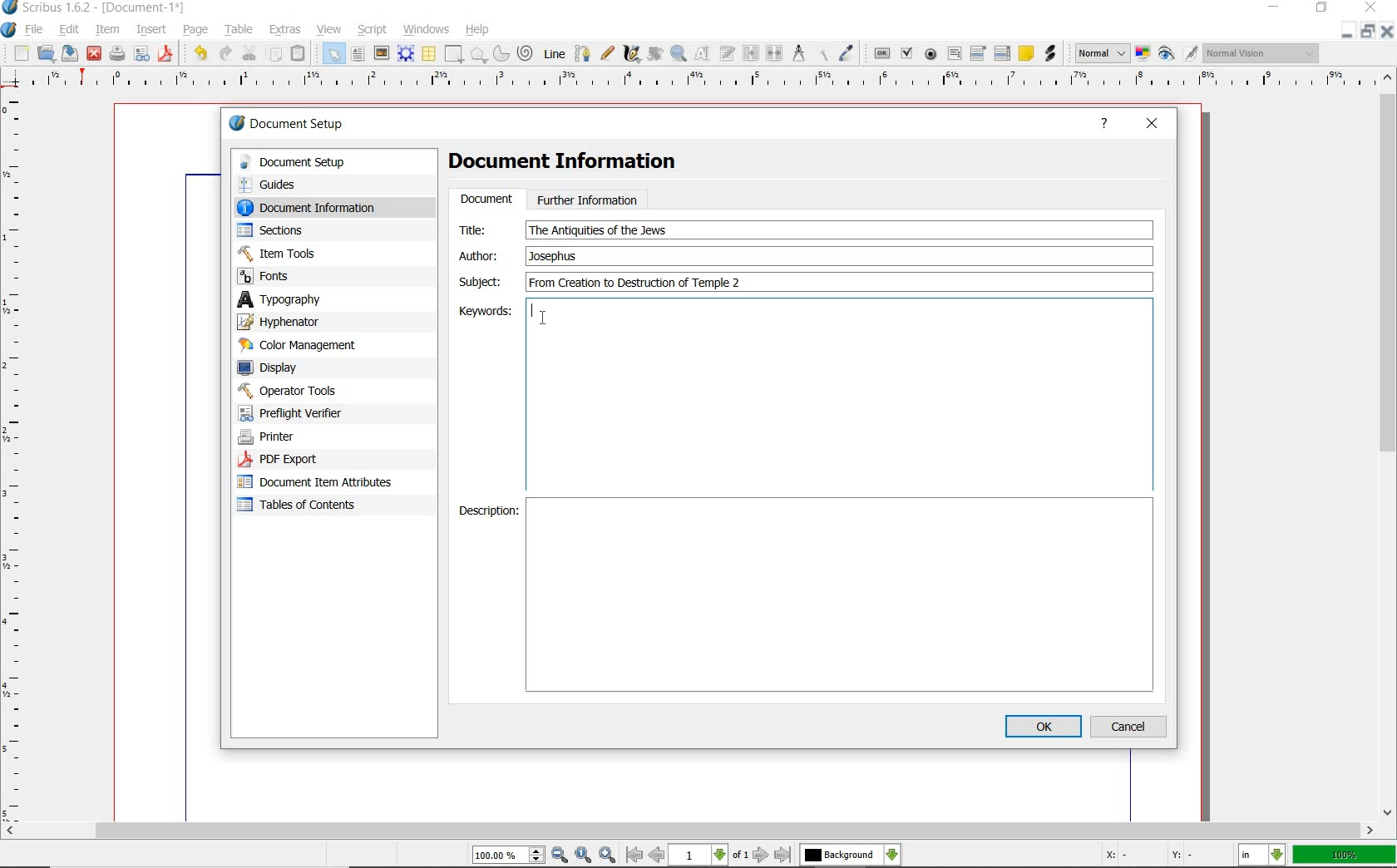 The image size is (1397, 868). I want to click on select, so click(335, 53).